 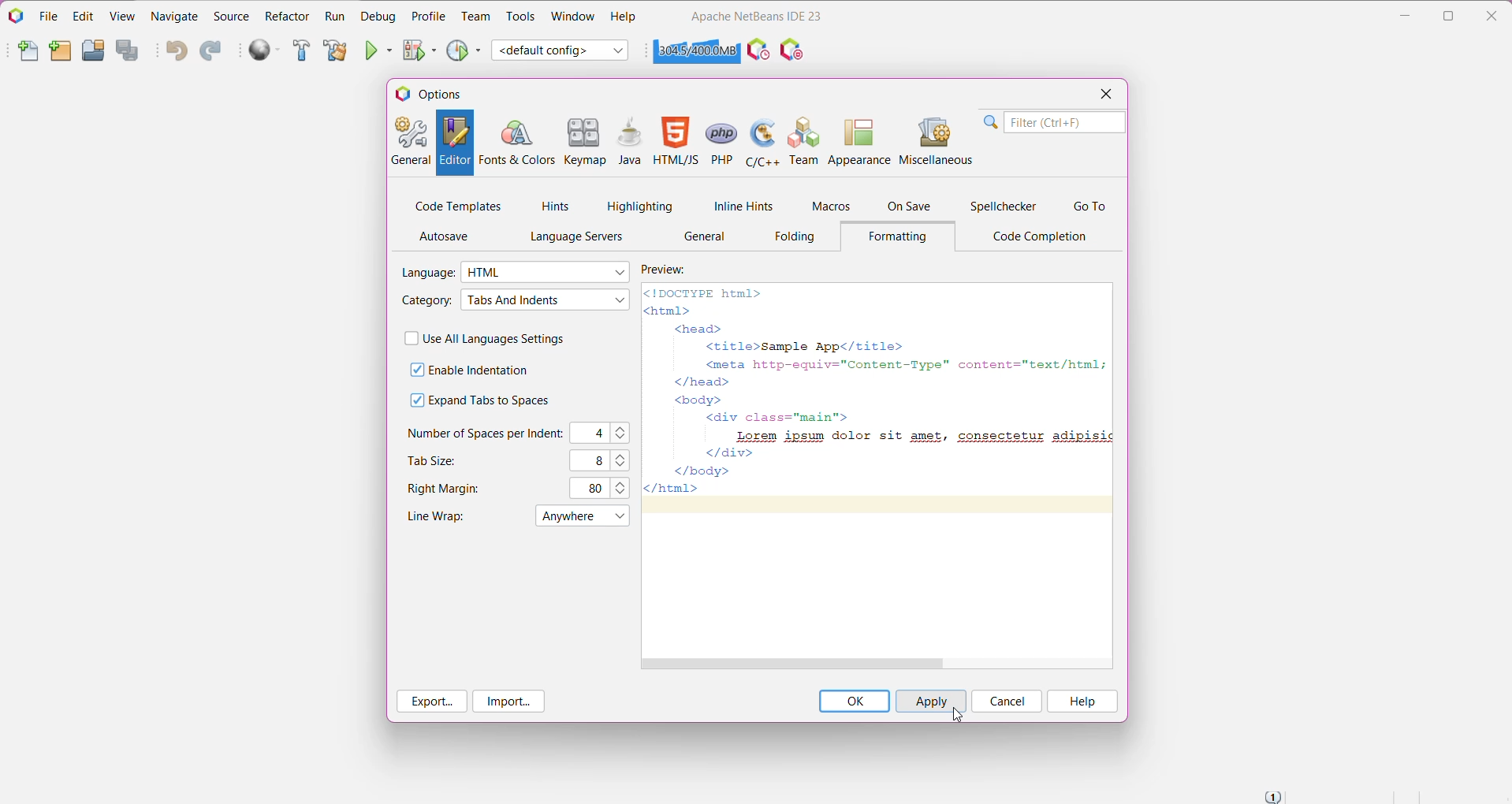 I want to click on General, so click(x=411, y=143).